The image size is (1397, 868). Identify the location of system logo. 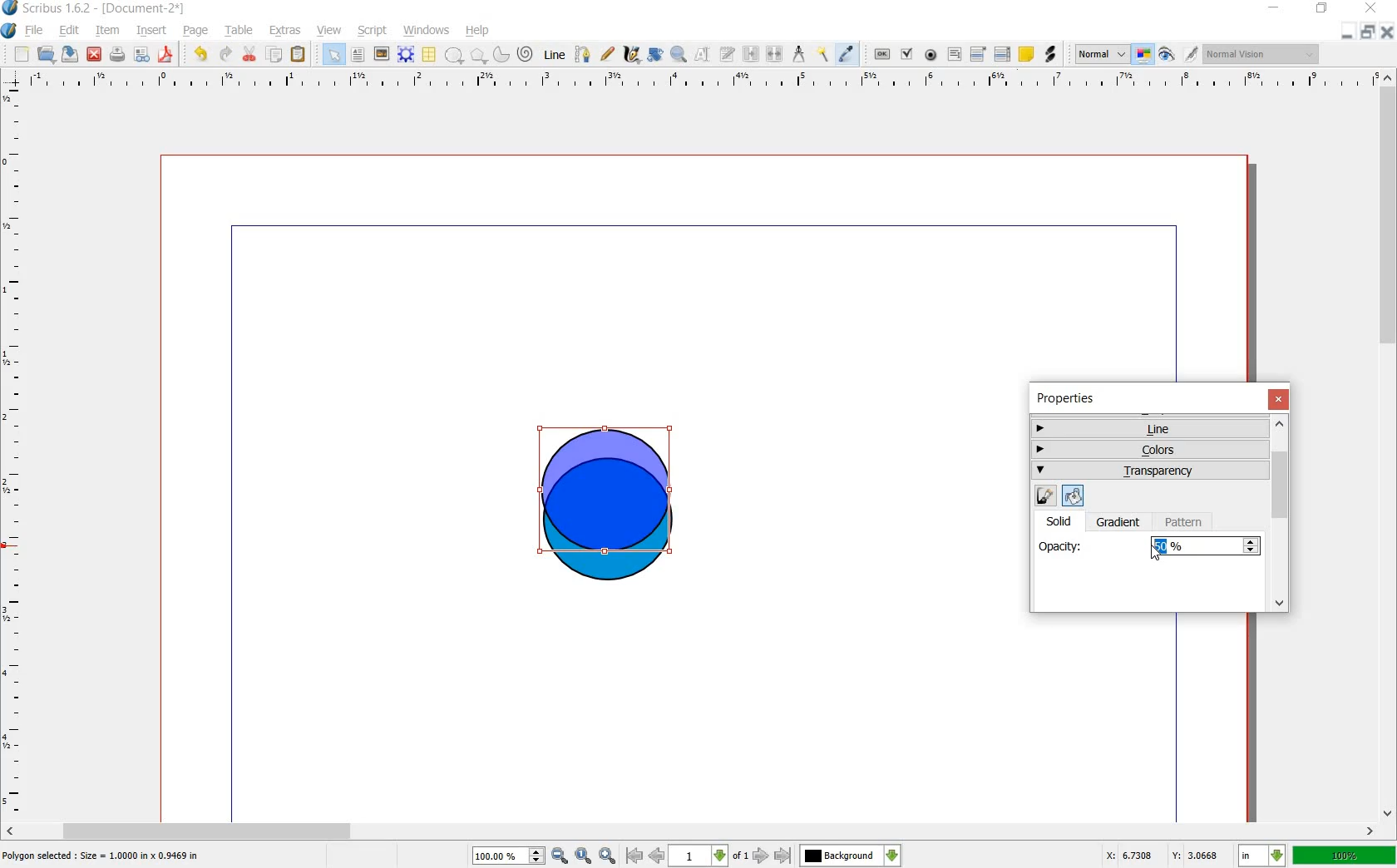
(8, 31).